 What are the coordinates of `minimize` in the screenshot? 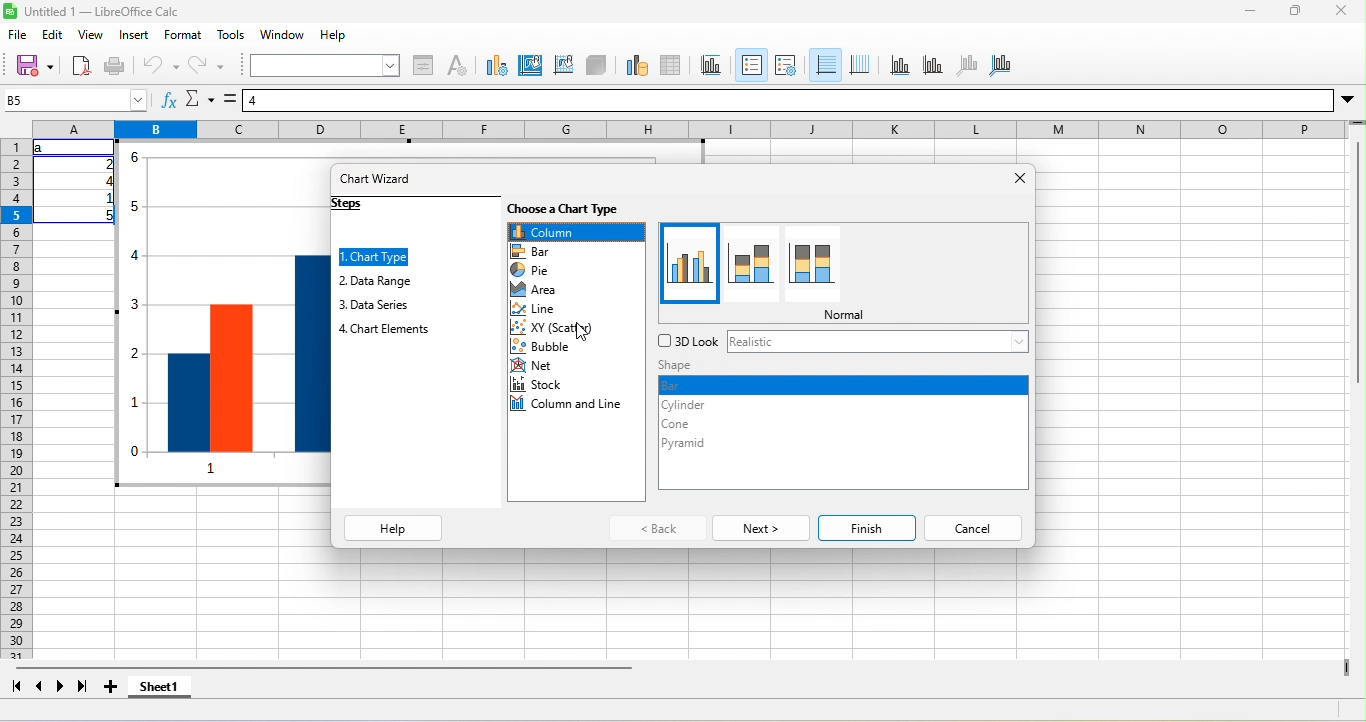 It's located at (1250, 11).